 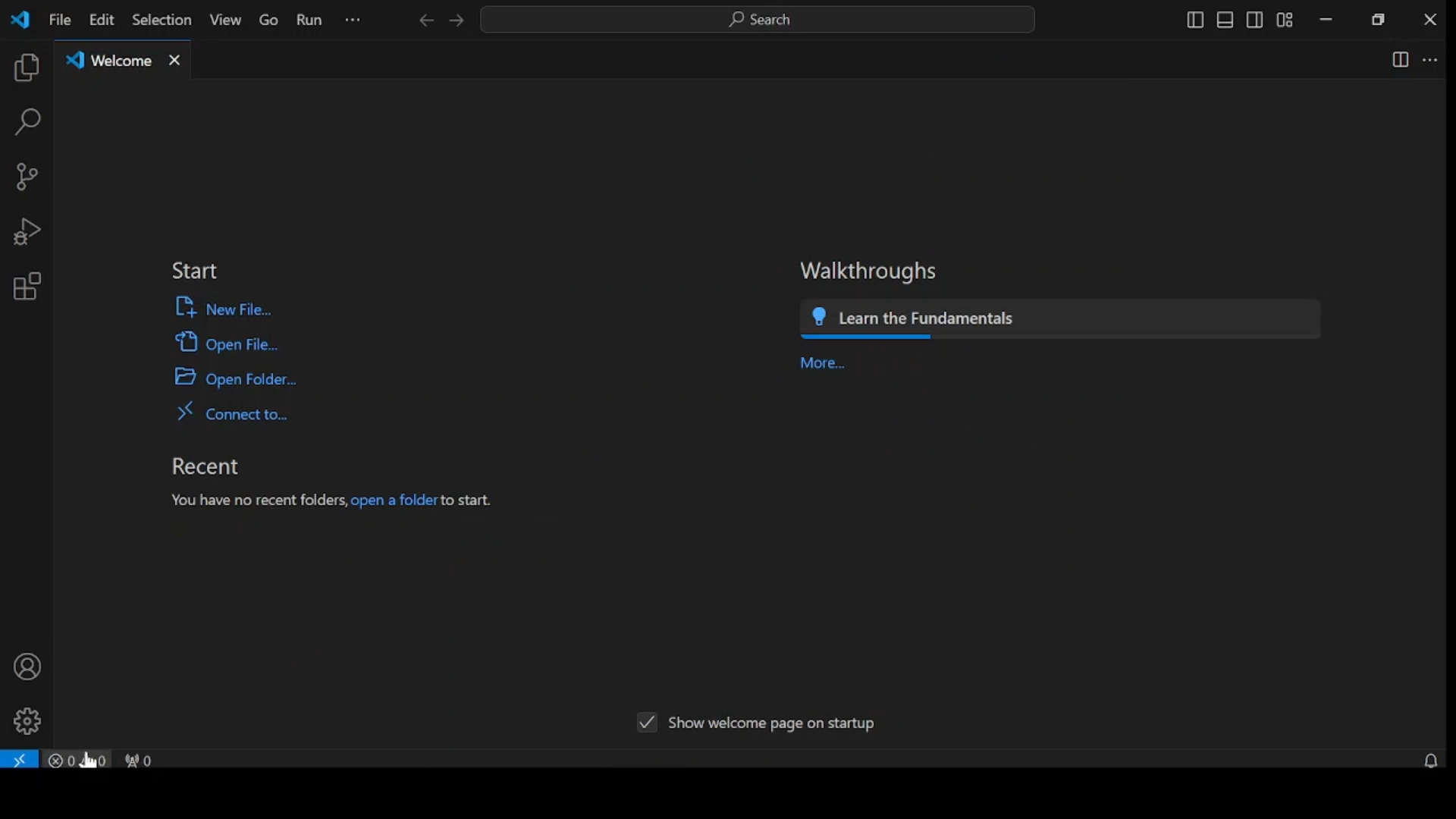 I want to click on new file, so click(x=224, y=306).